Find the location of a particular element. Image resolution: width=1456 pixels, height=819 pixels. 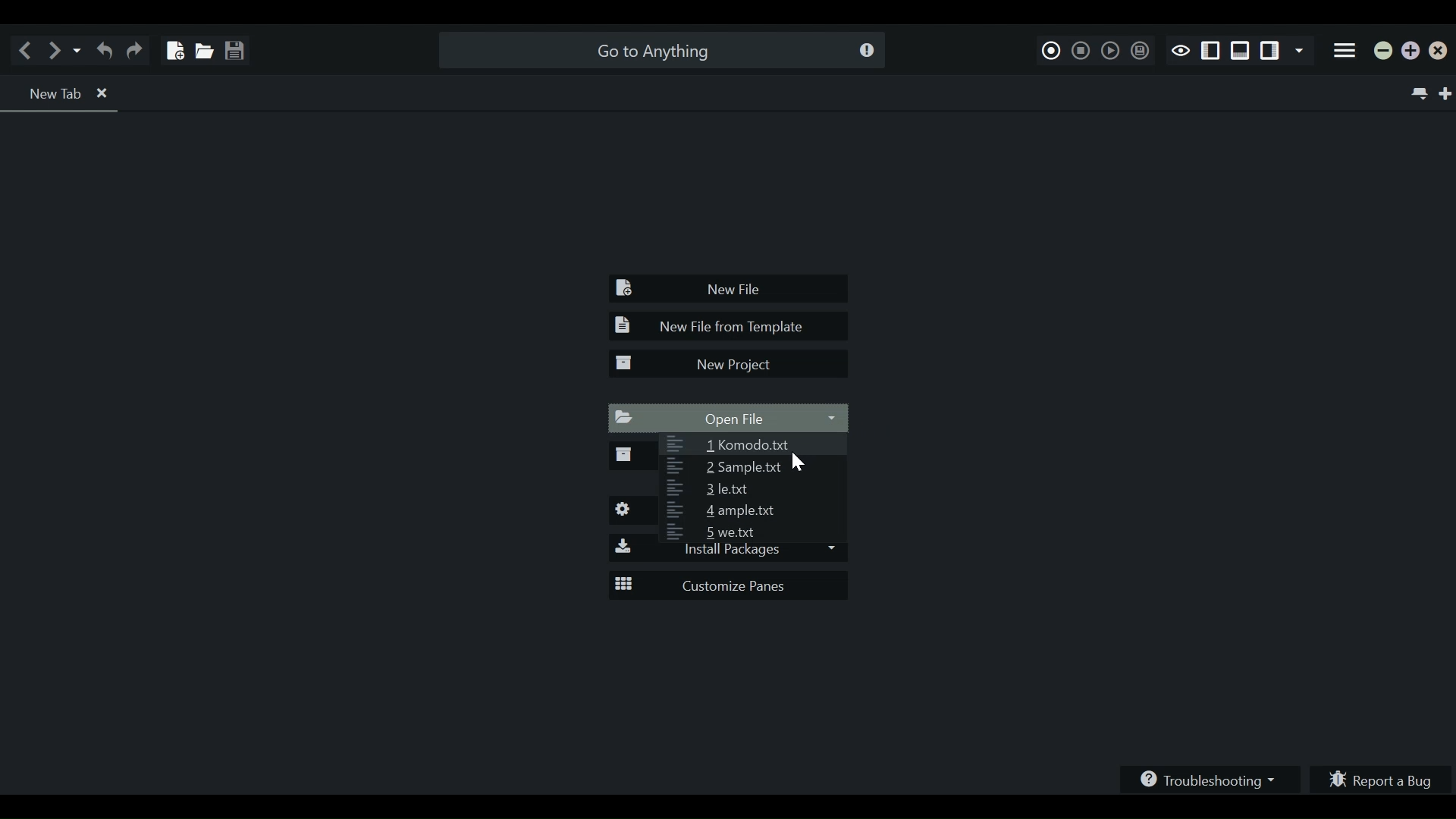

Open is located at coordinates (202, 47).